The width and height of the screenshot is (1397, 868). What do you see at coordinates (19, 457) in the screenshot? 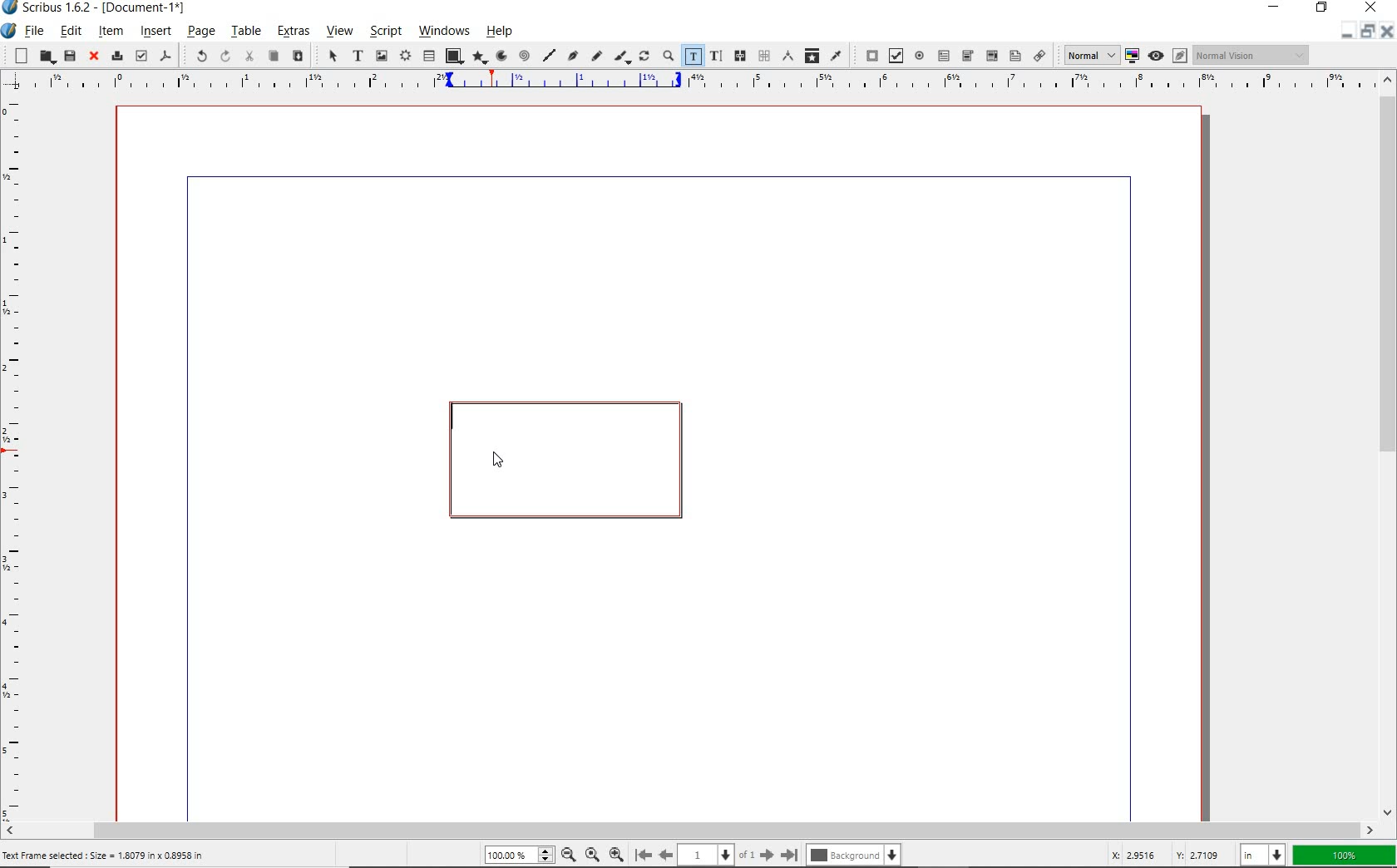
I see `Vertical Margin` at bounding box center [19, 457].